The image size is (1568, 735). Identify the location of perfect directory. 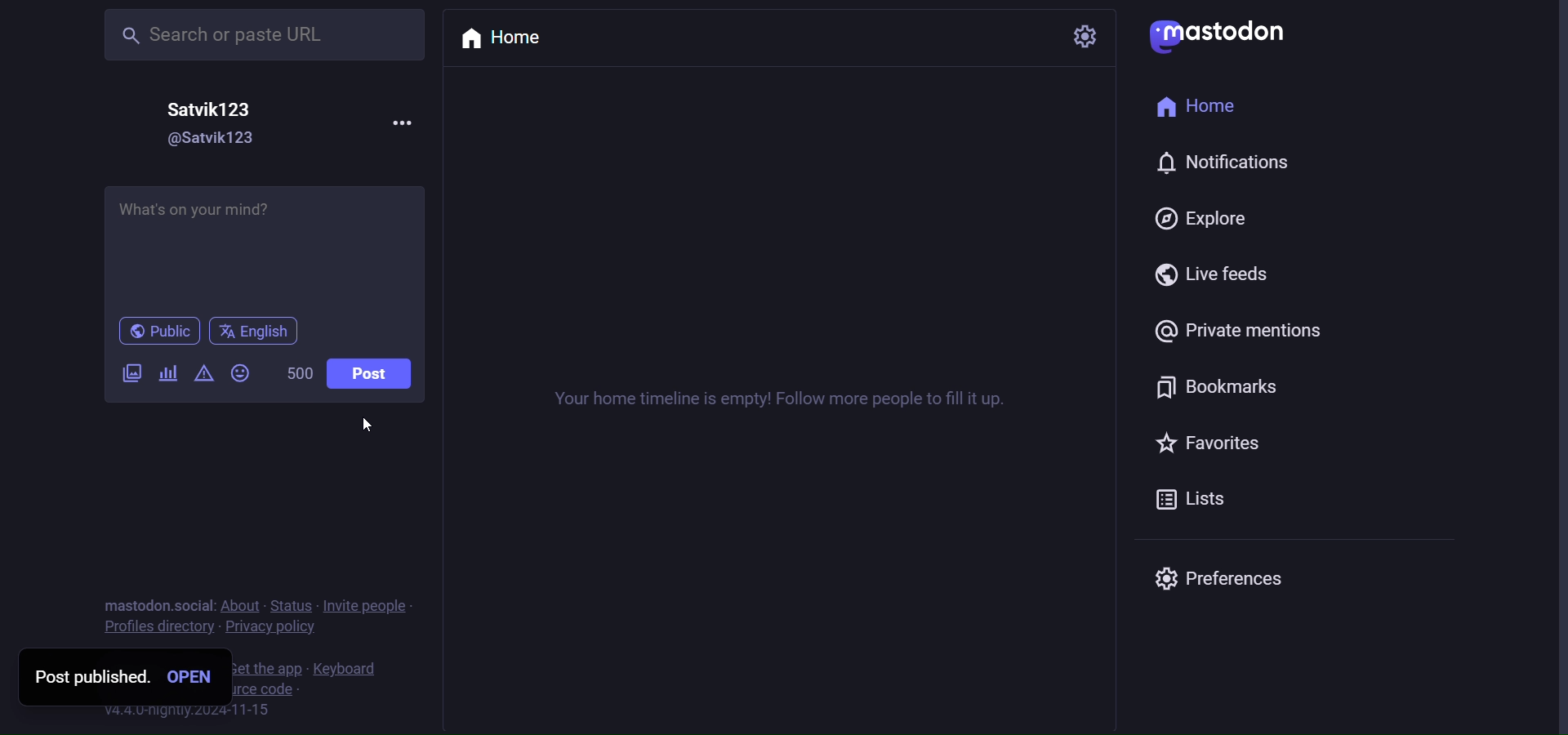
(155, 628).